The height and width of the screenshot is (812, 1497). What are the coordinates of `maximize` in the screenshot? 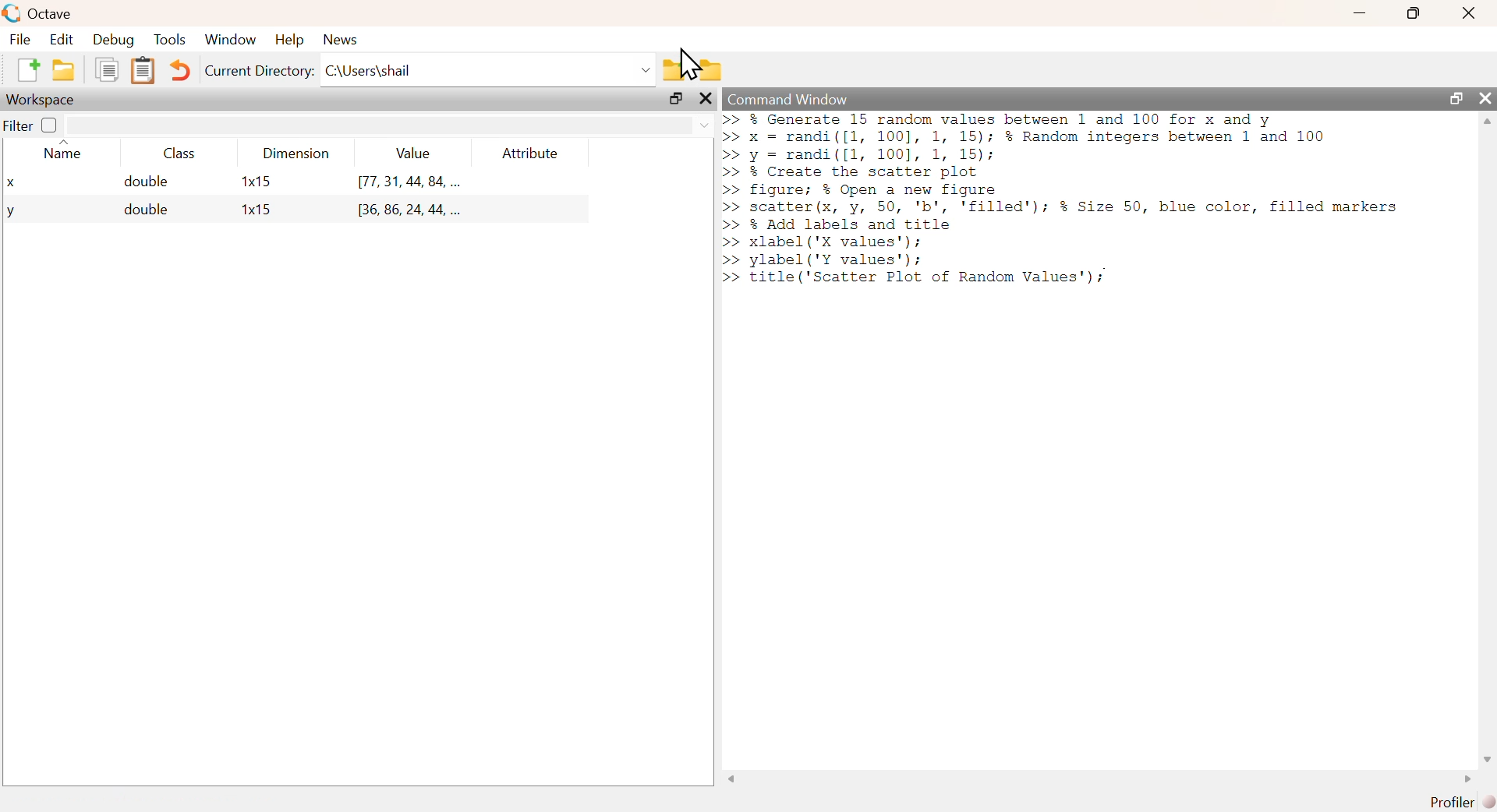 It's located at (677, 97).